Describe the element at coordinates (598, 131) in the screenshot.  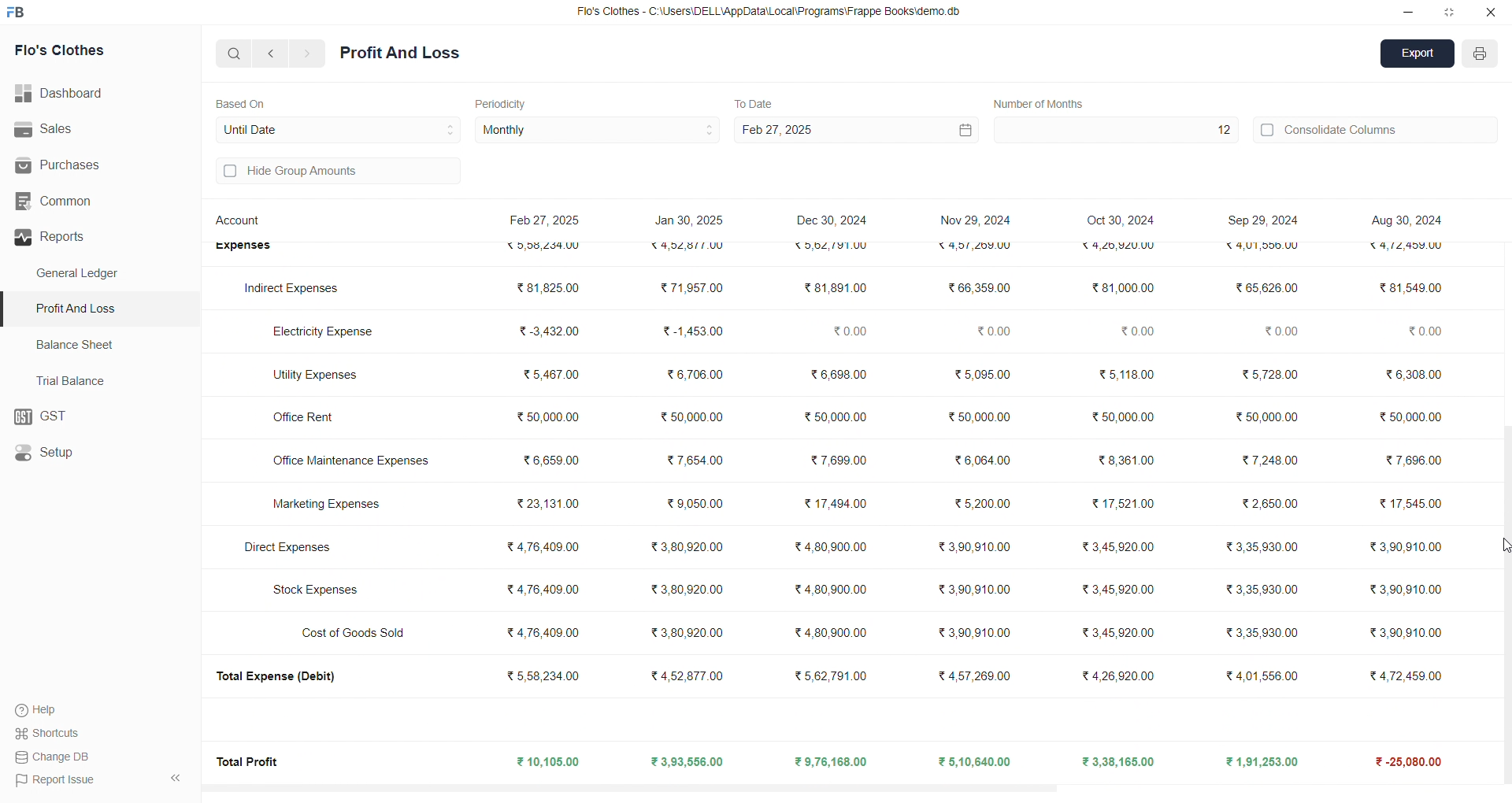
I see `Monthly` at that location.